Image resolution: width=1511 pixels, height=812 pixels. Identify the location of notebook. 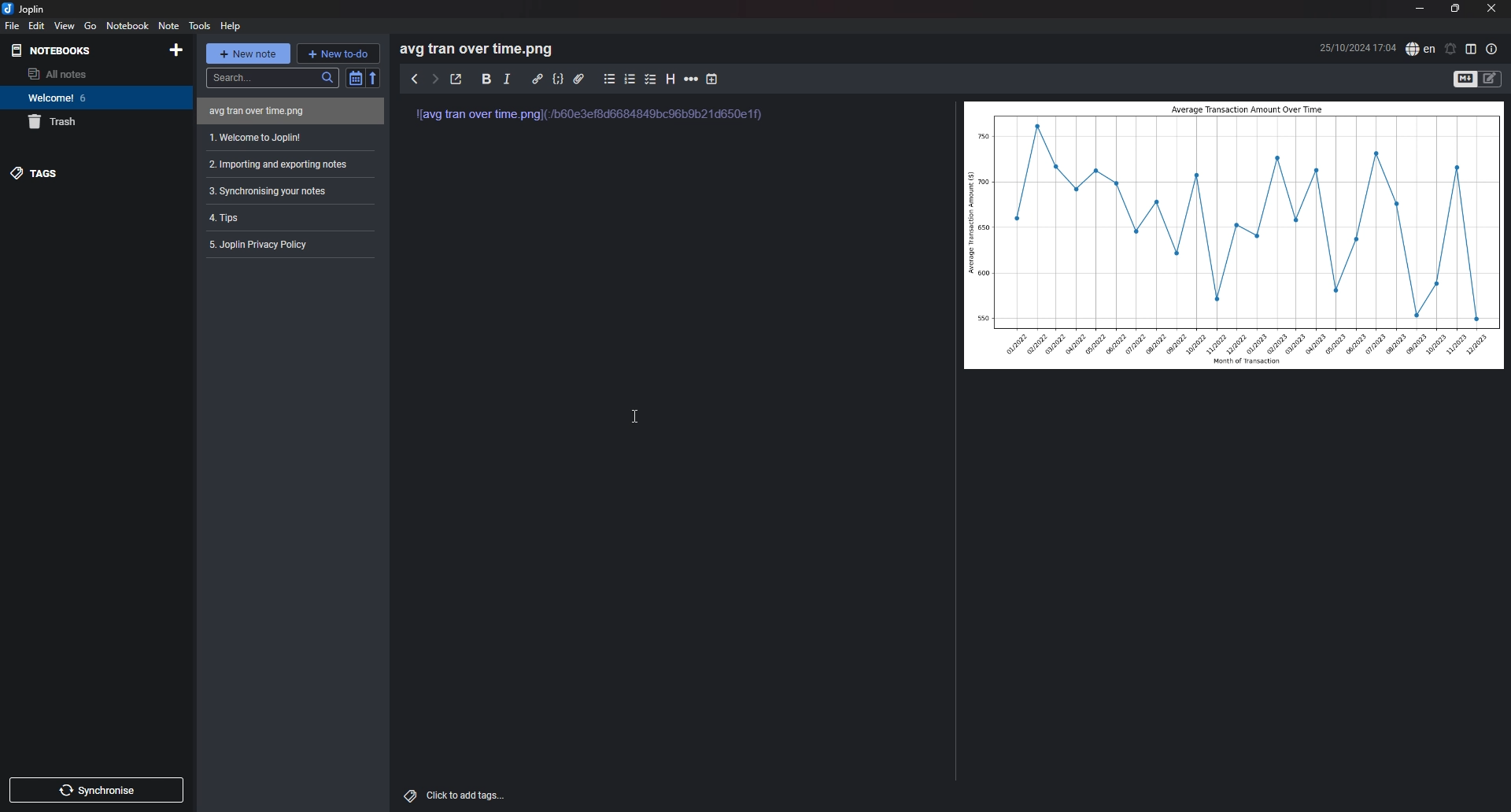
(129, 25).